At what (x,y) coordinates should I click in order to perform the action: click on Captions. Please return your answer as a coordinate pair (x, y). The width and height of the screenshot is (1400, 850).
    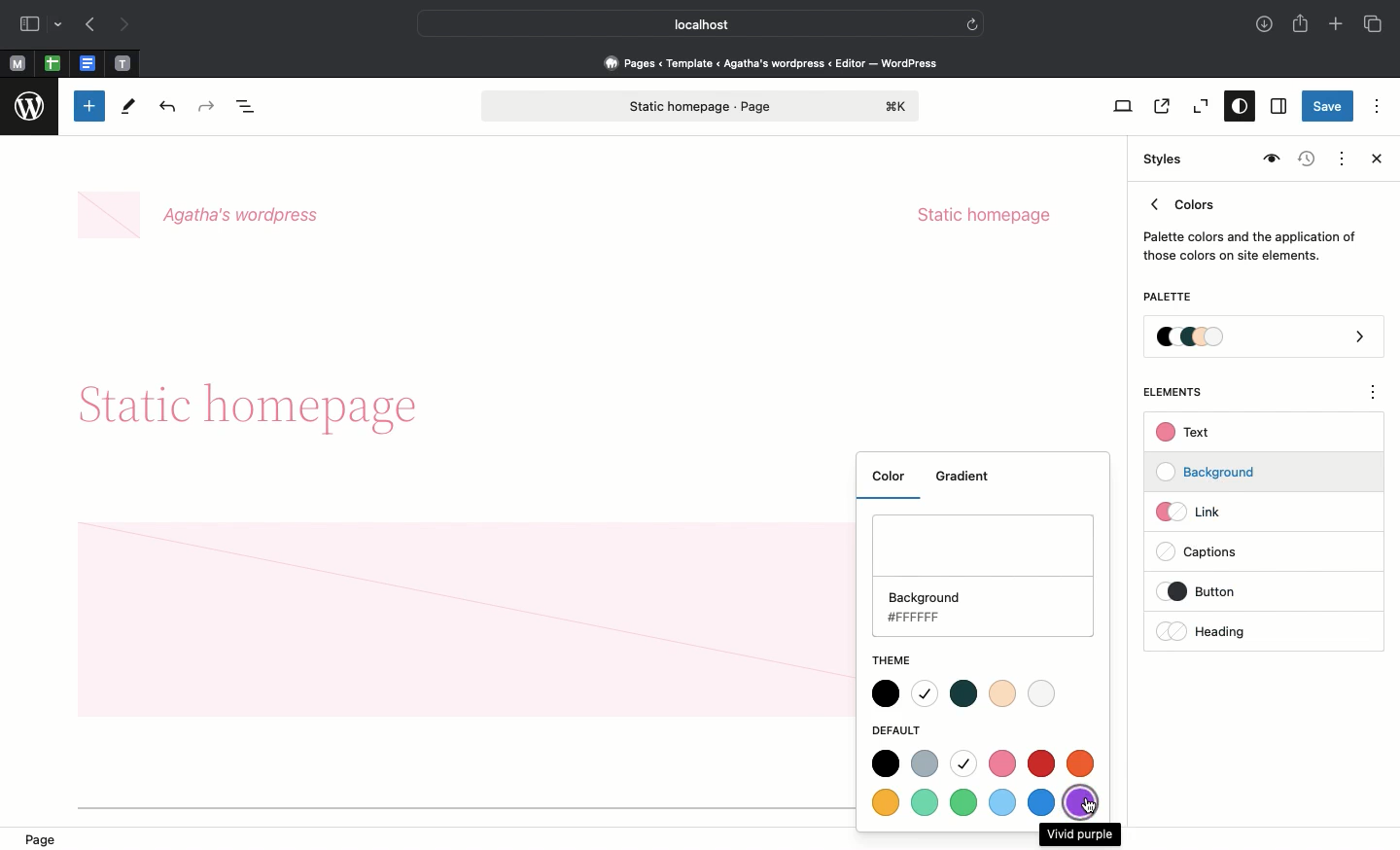
    Looking at the image, I should click on (1207, 553).